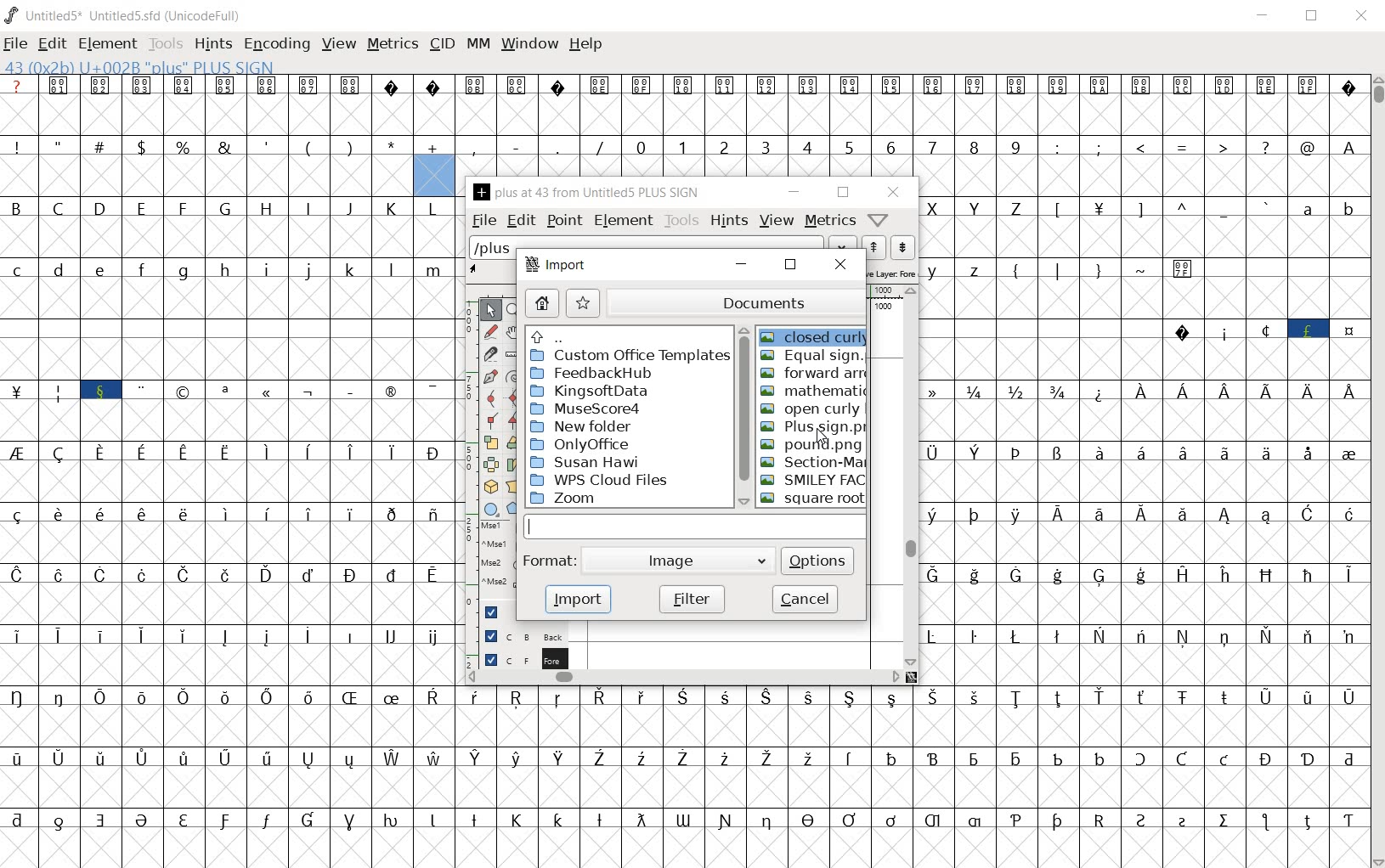 The height and width of the screenshot is (868, 1385). Describe the element at coordinates (227, 228) in the screenshot. I see `alphabets` at that location.